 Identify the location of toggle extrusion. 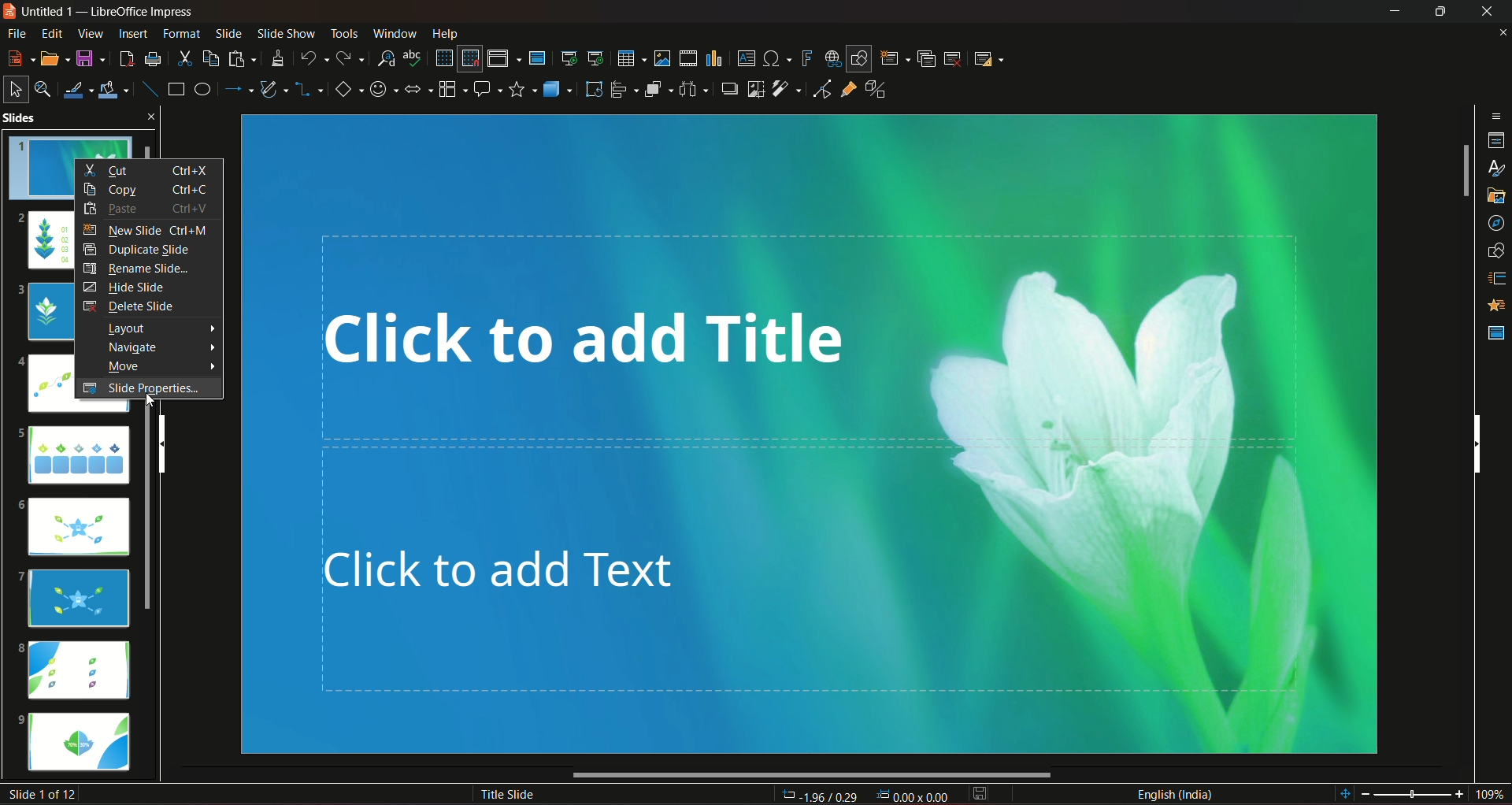
(876, 91).